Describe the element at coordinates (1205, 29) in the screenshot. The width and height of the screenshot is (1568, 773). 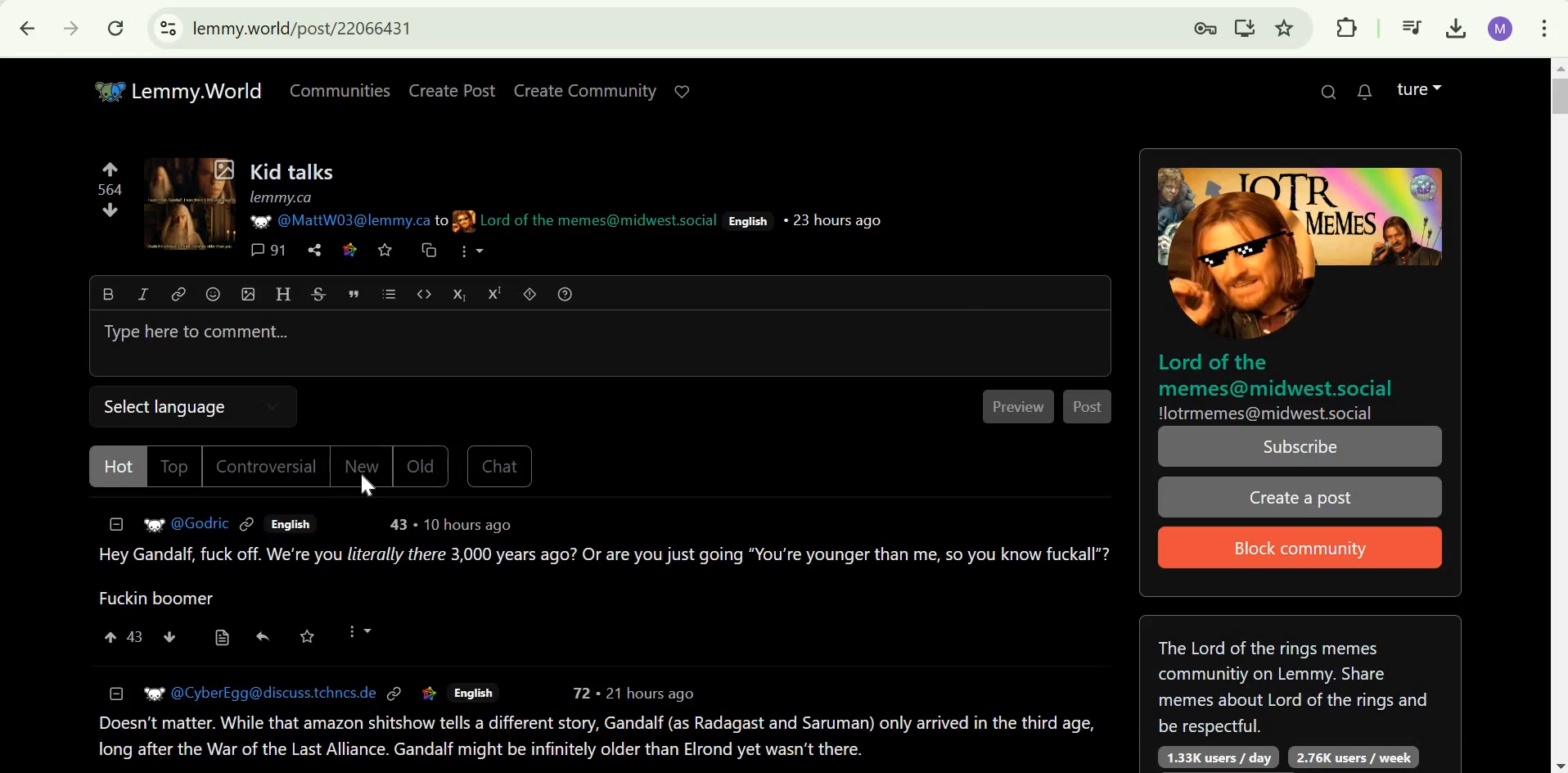
I see `Manage your passwords` at that location.